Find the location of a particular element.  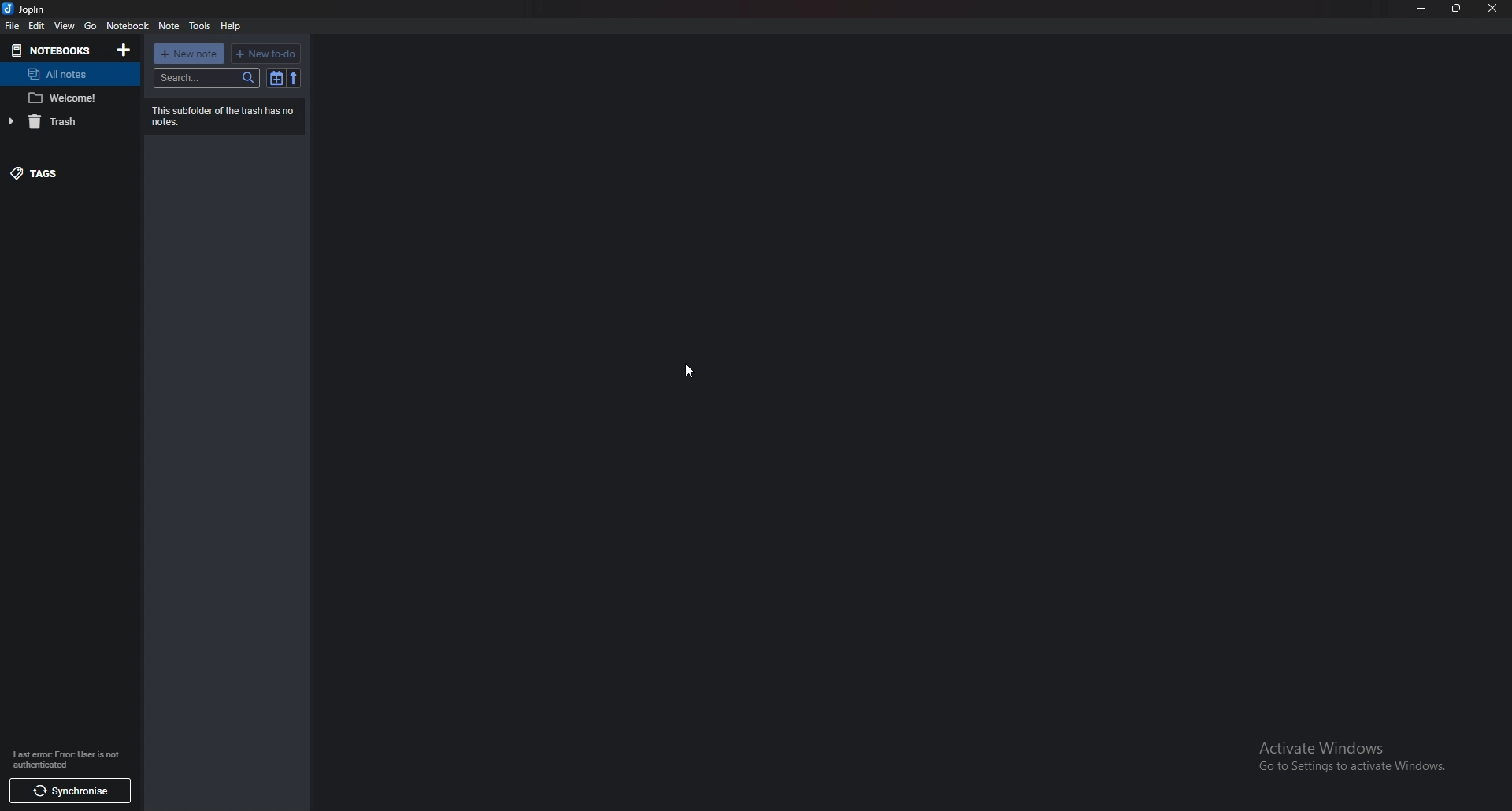

Tags is located at coordinates (57, 173).